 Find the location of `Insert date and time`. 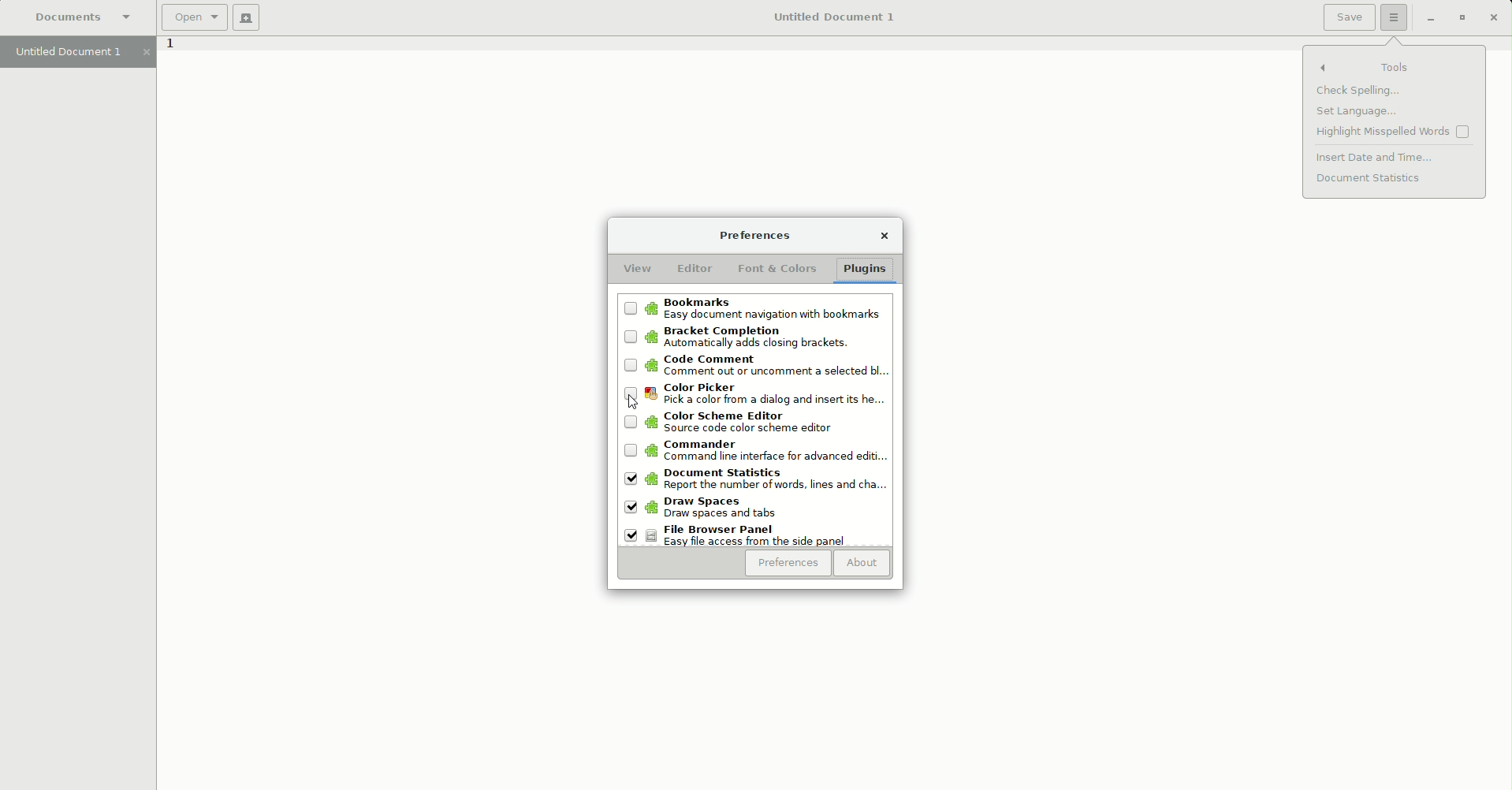

Insert date and time is located at coordinates (1377, 157).